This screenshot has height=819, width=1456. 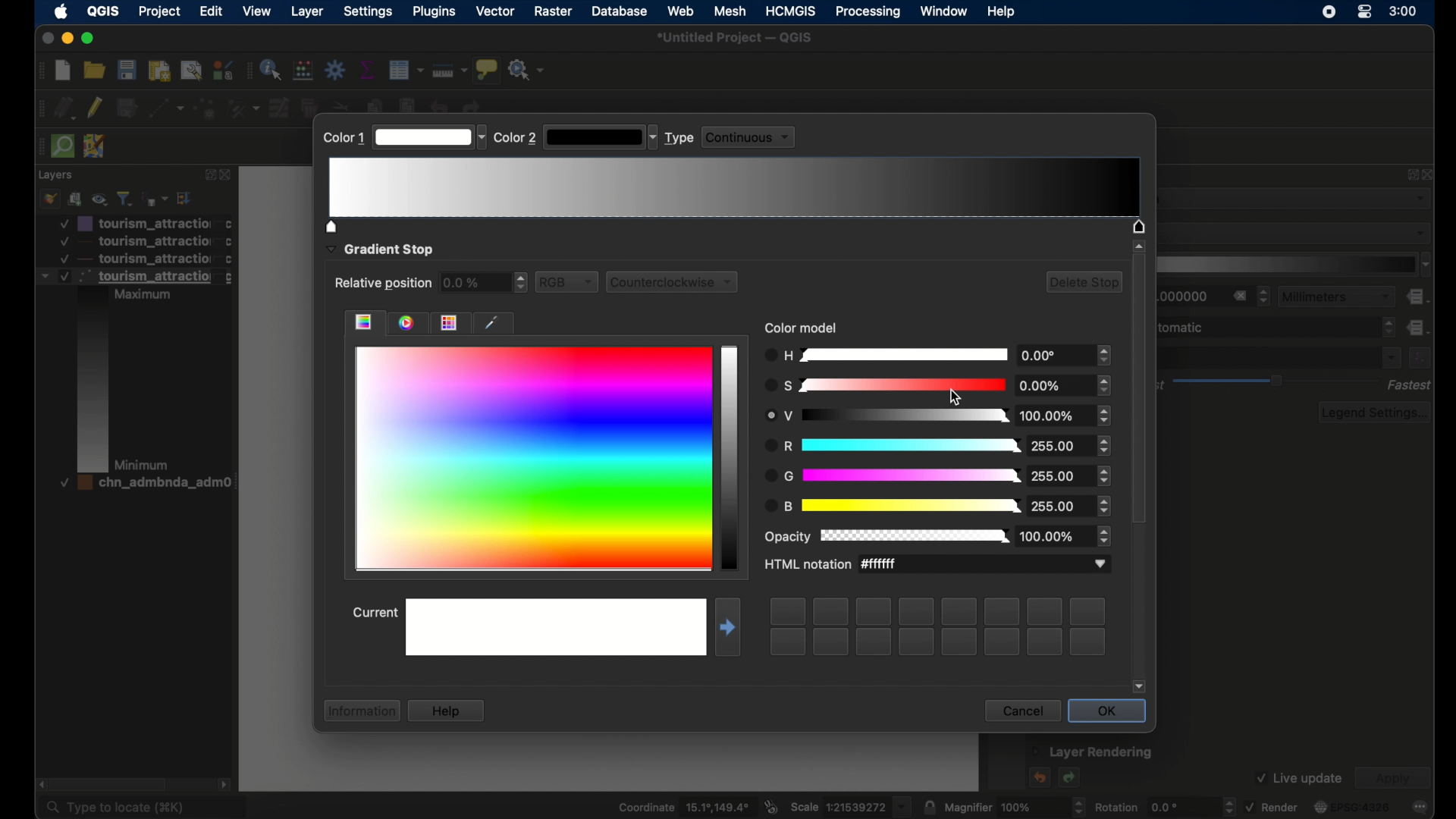 I want to click on current color, so click(x=732, y=460).